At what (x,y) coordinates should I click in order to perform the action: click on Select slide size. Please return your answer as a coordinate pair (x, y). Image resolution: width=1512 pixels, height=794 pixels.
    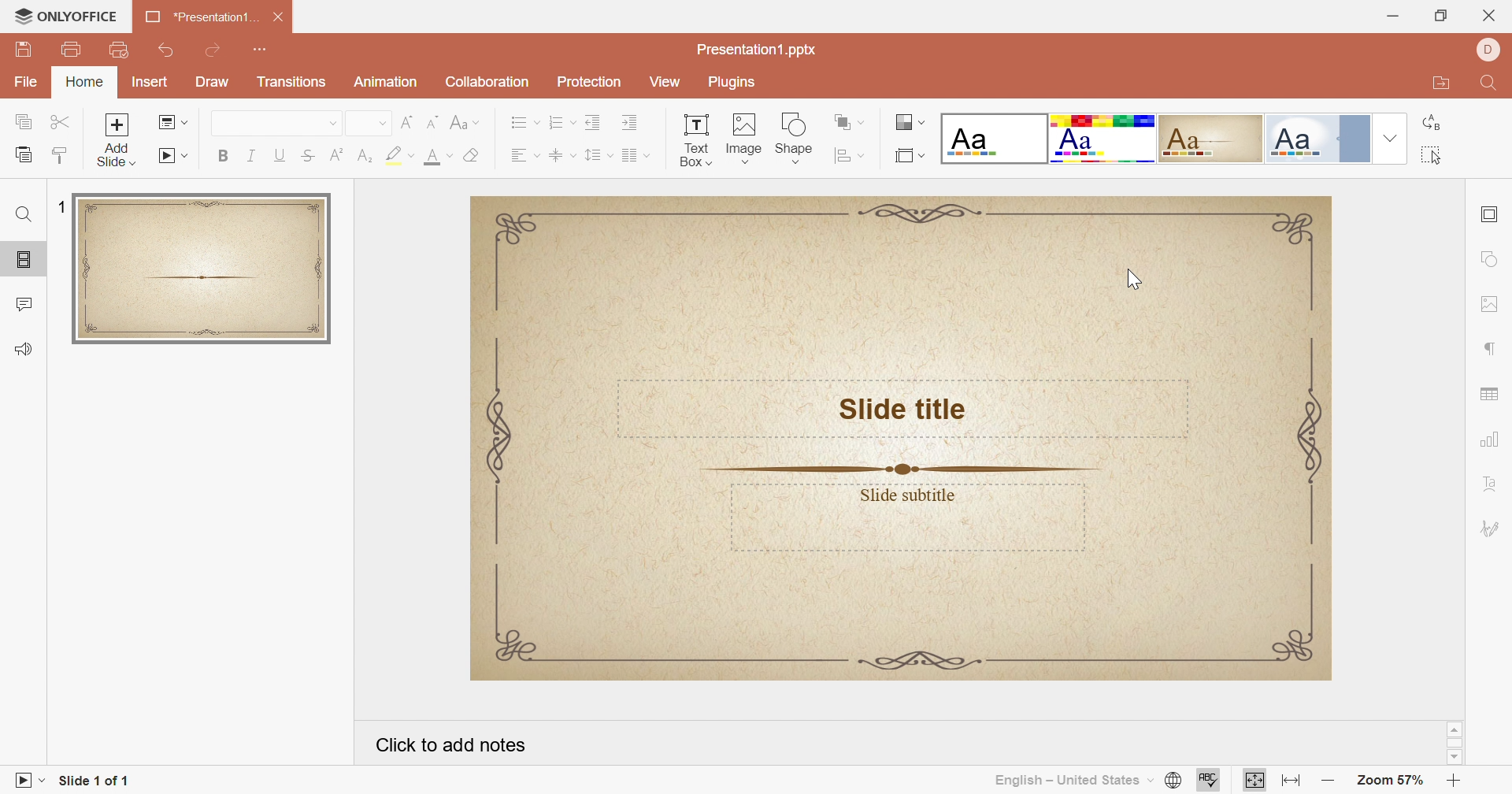
    Looking at the image, I should click on (902, 158).